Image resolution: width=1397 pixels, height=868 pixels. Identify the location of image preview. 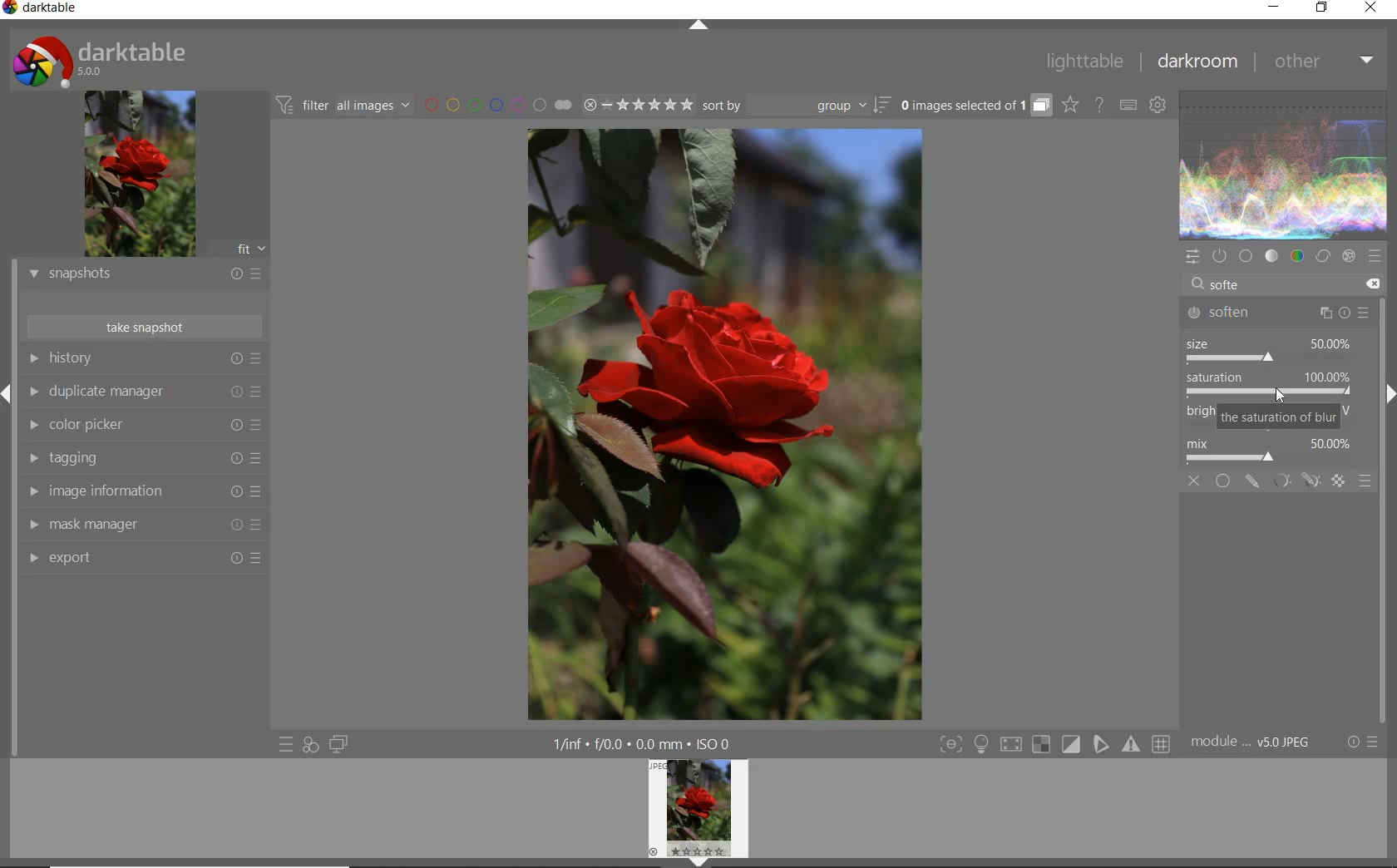
(139, 175).